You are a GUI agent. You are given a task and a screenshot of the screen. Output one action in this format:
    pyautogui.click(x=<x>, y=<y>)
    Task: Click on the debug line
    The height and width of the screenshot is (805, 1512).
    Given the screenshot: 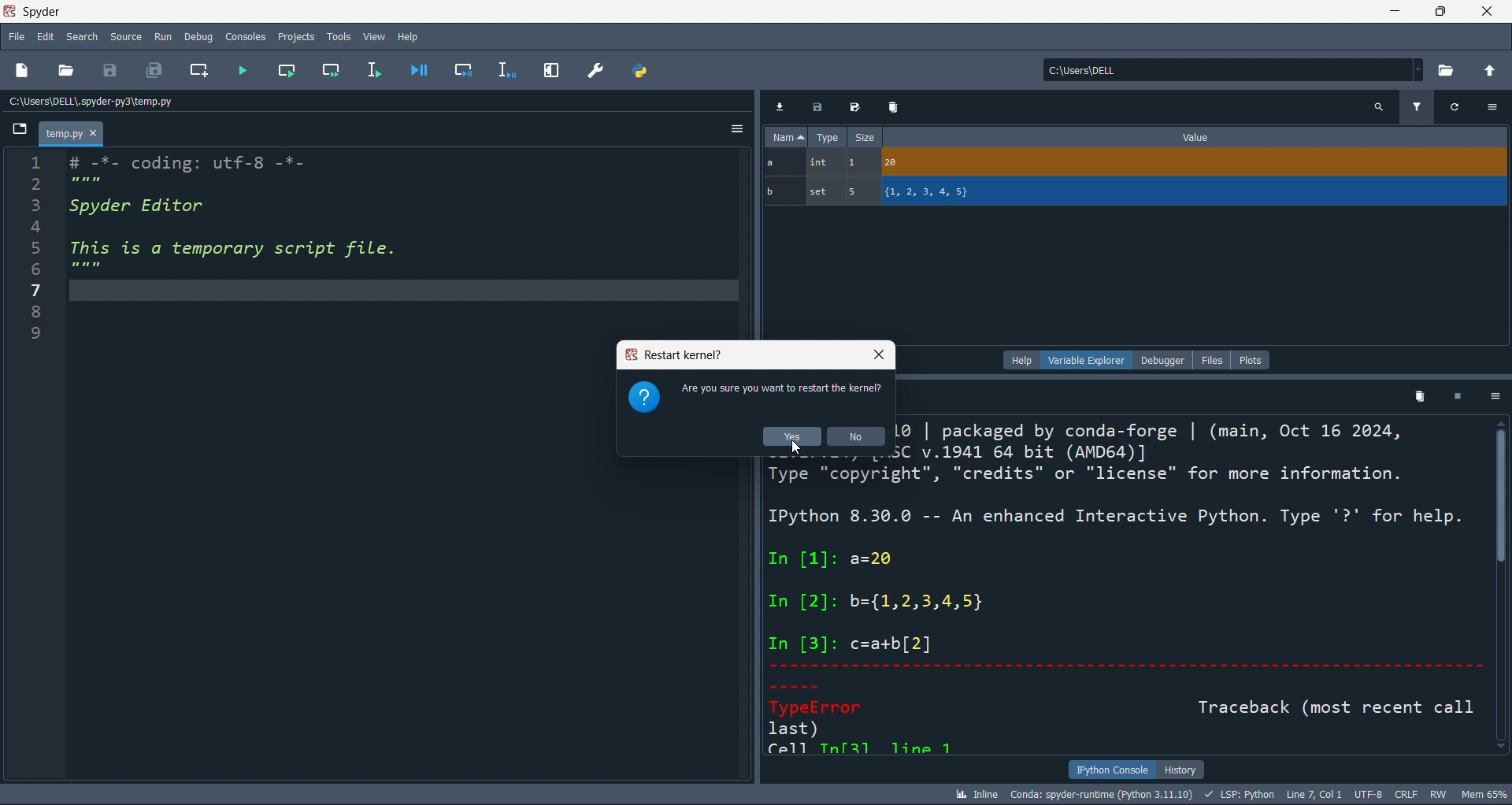 What is the action you would take?
    pyautogui.click(x=506, y=69)
    